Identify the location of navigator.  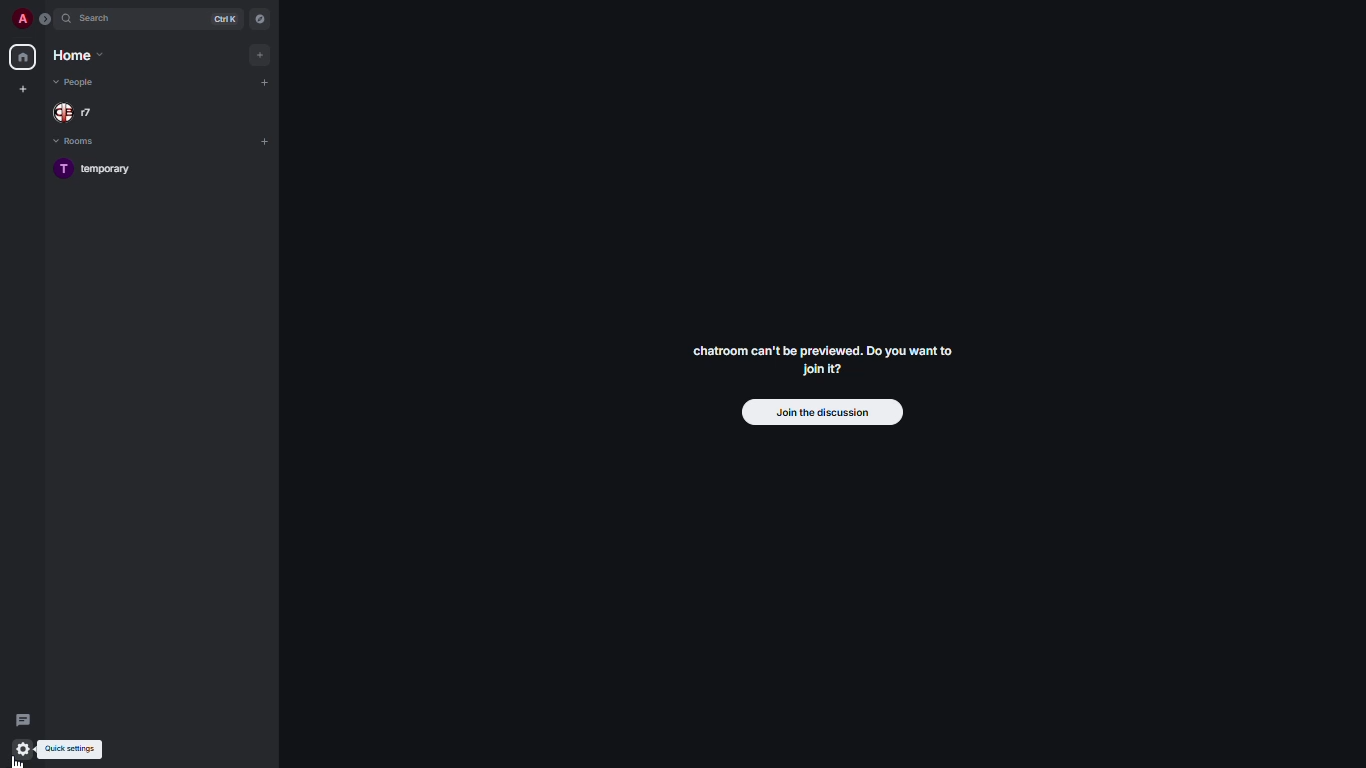
(259, 18).